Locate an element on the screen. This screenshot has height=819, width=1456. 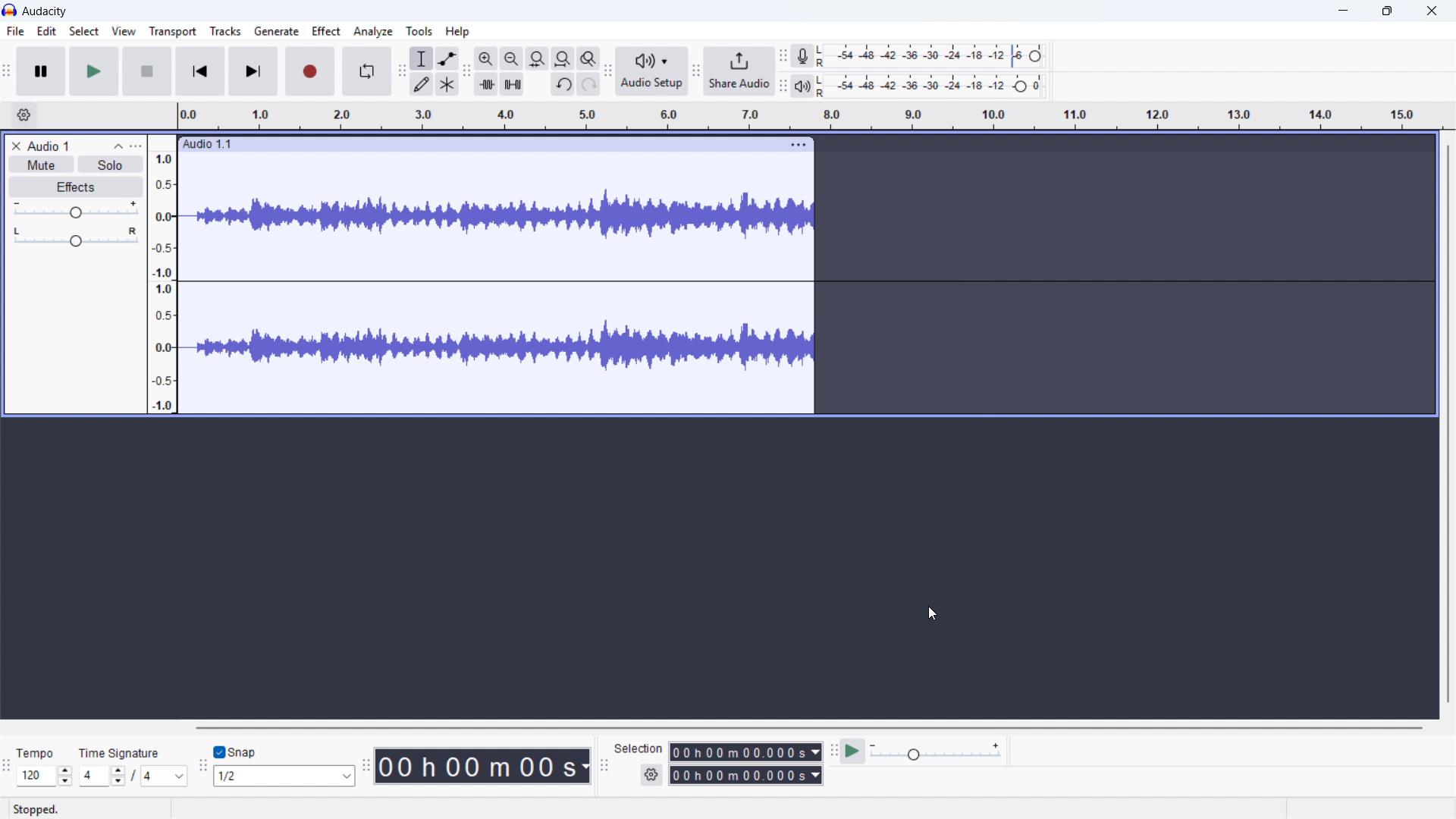
Trim audio outside selection  is located at coordinates (485, 84).